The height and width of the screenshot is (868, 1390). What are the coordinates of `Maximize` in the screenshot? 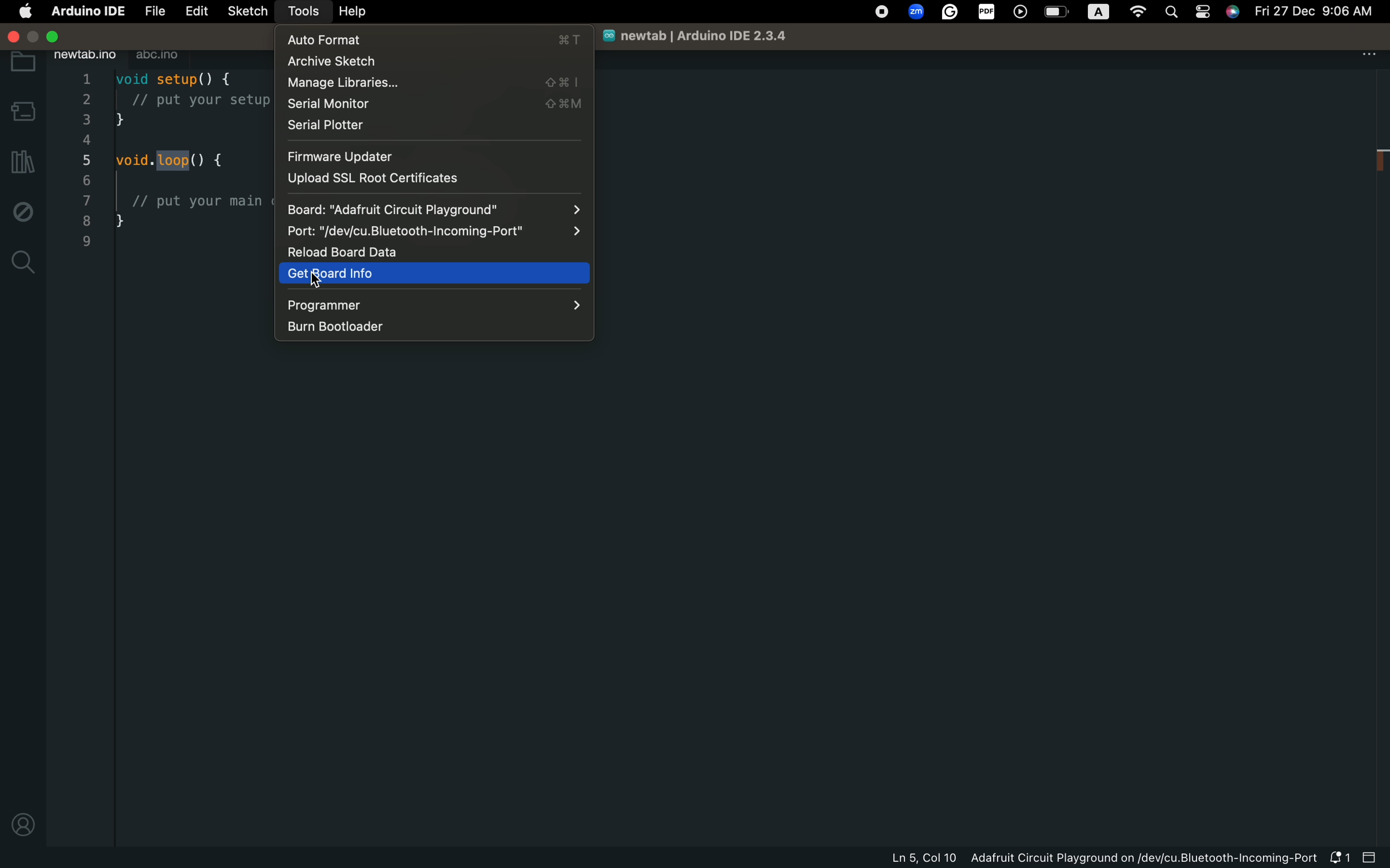 It's located at (34, 37).